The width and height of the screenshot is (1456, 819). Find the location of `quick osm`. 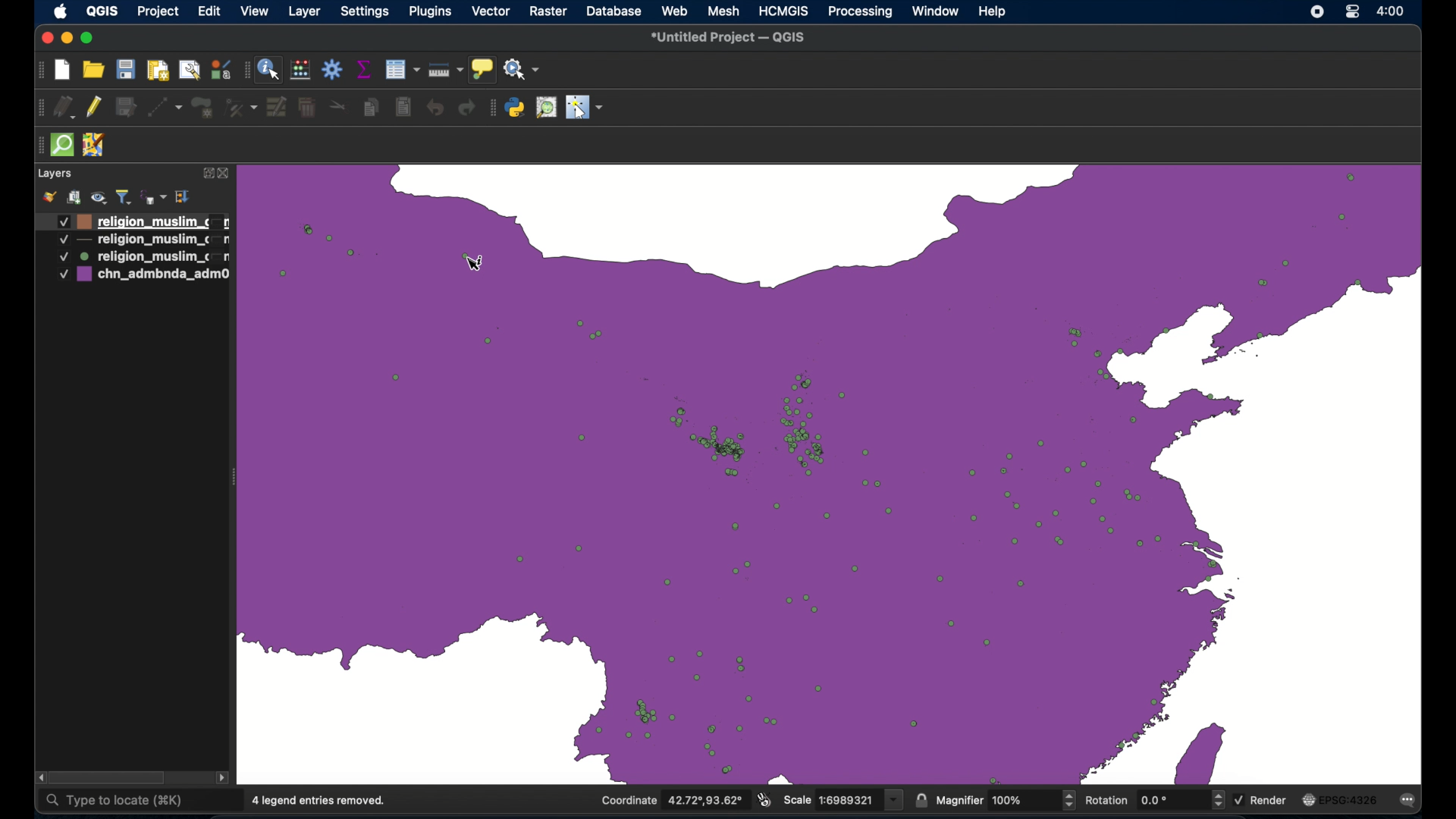

quick osm is located at coordinates (64, 146).